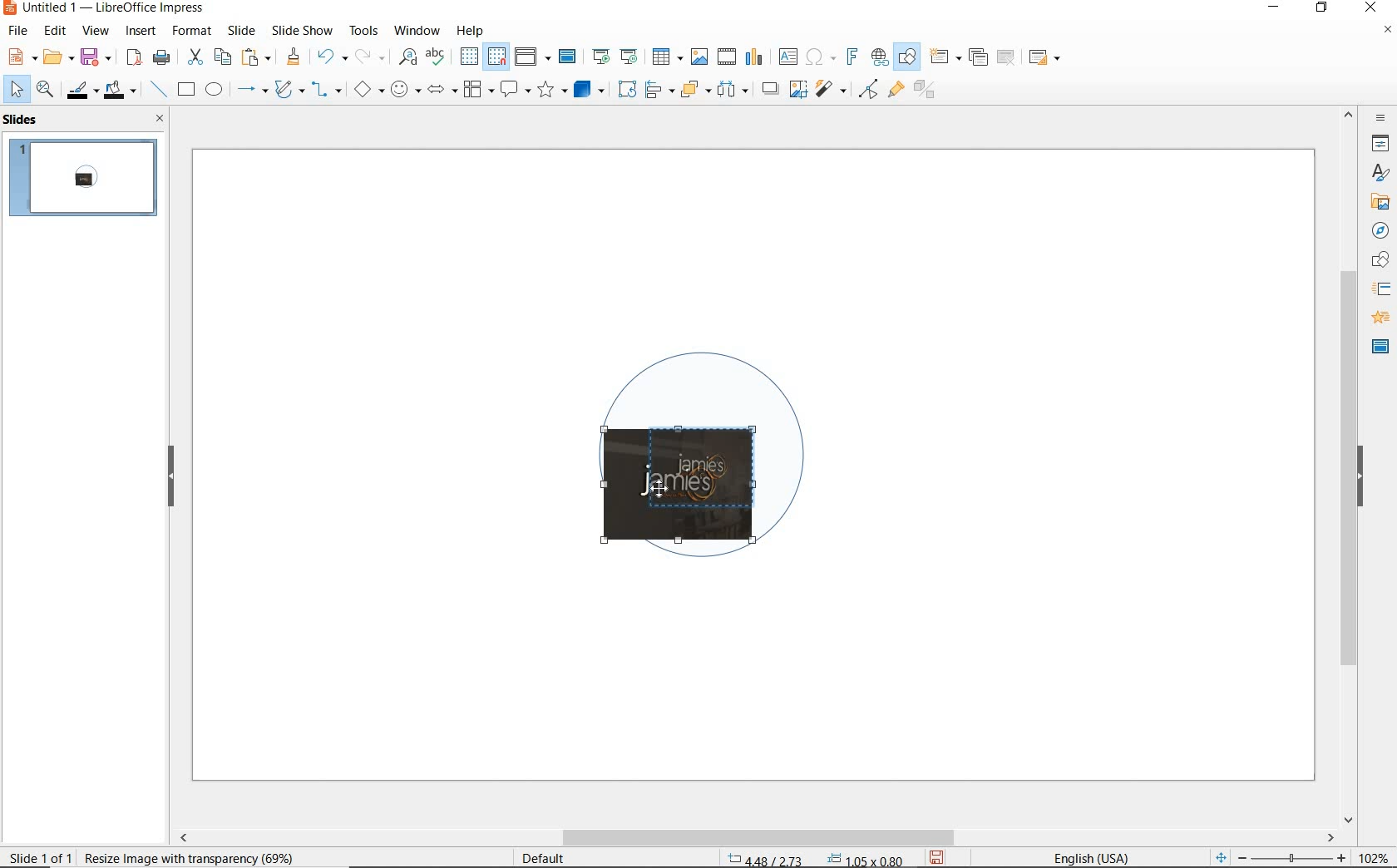  What do you see at coordinates (1379, 118) in the screenshot?
I see `sidebar settings` at bounding box center [1379, 118].